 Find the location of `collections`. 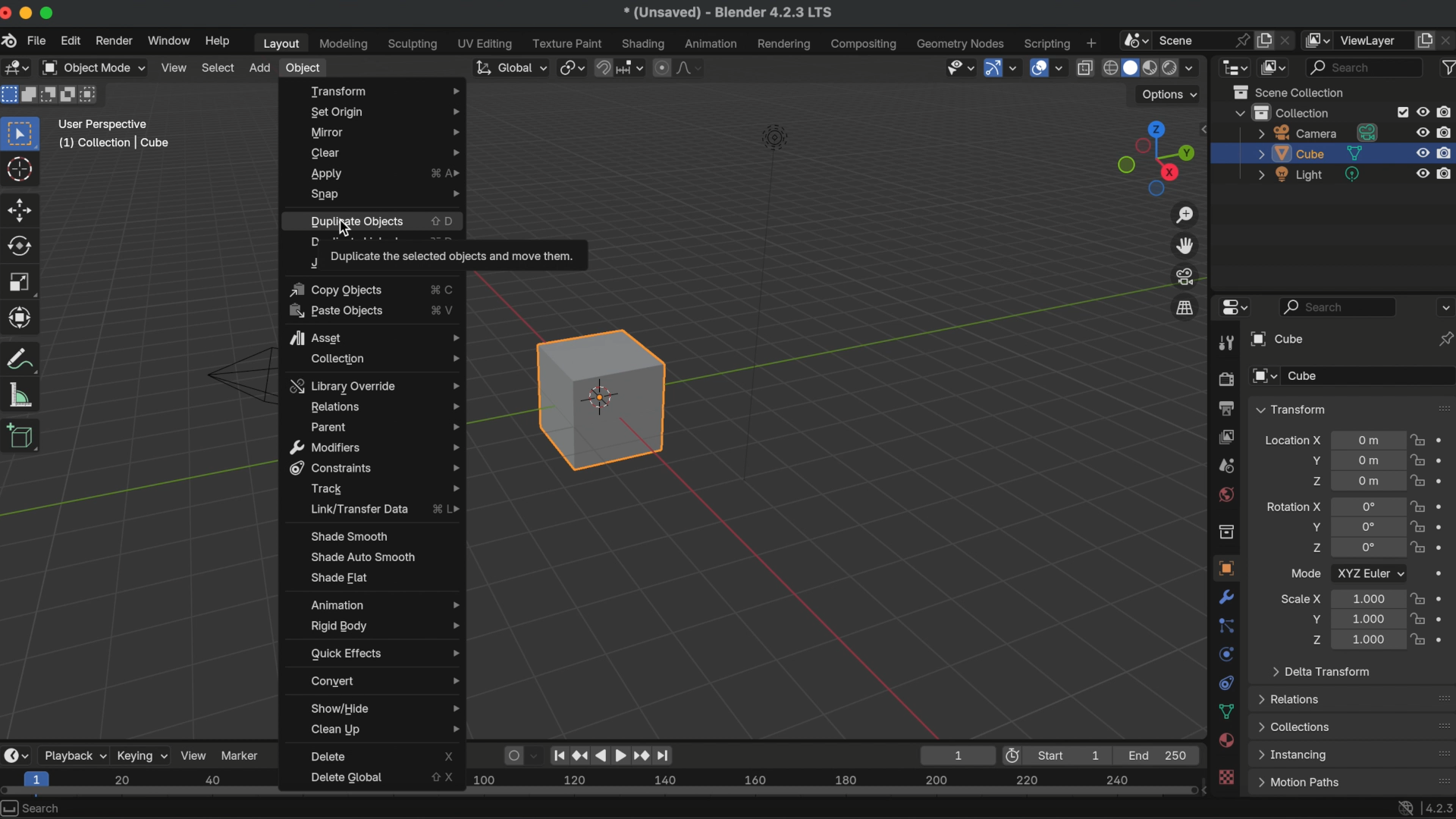

collections is located at coordinates (1295, 726).